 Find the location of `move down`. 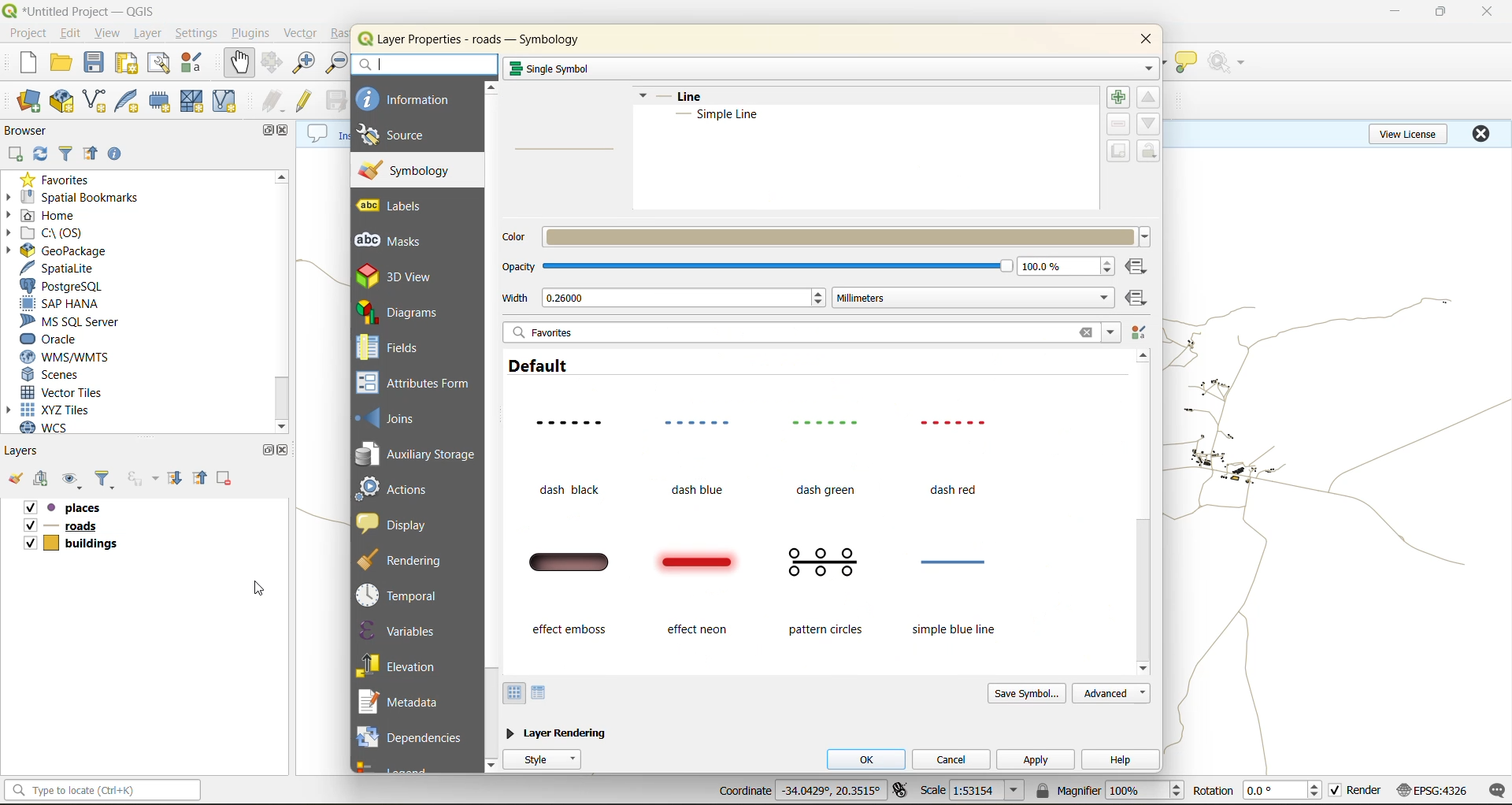

move down is located at coordinates (1151, 124).